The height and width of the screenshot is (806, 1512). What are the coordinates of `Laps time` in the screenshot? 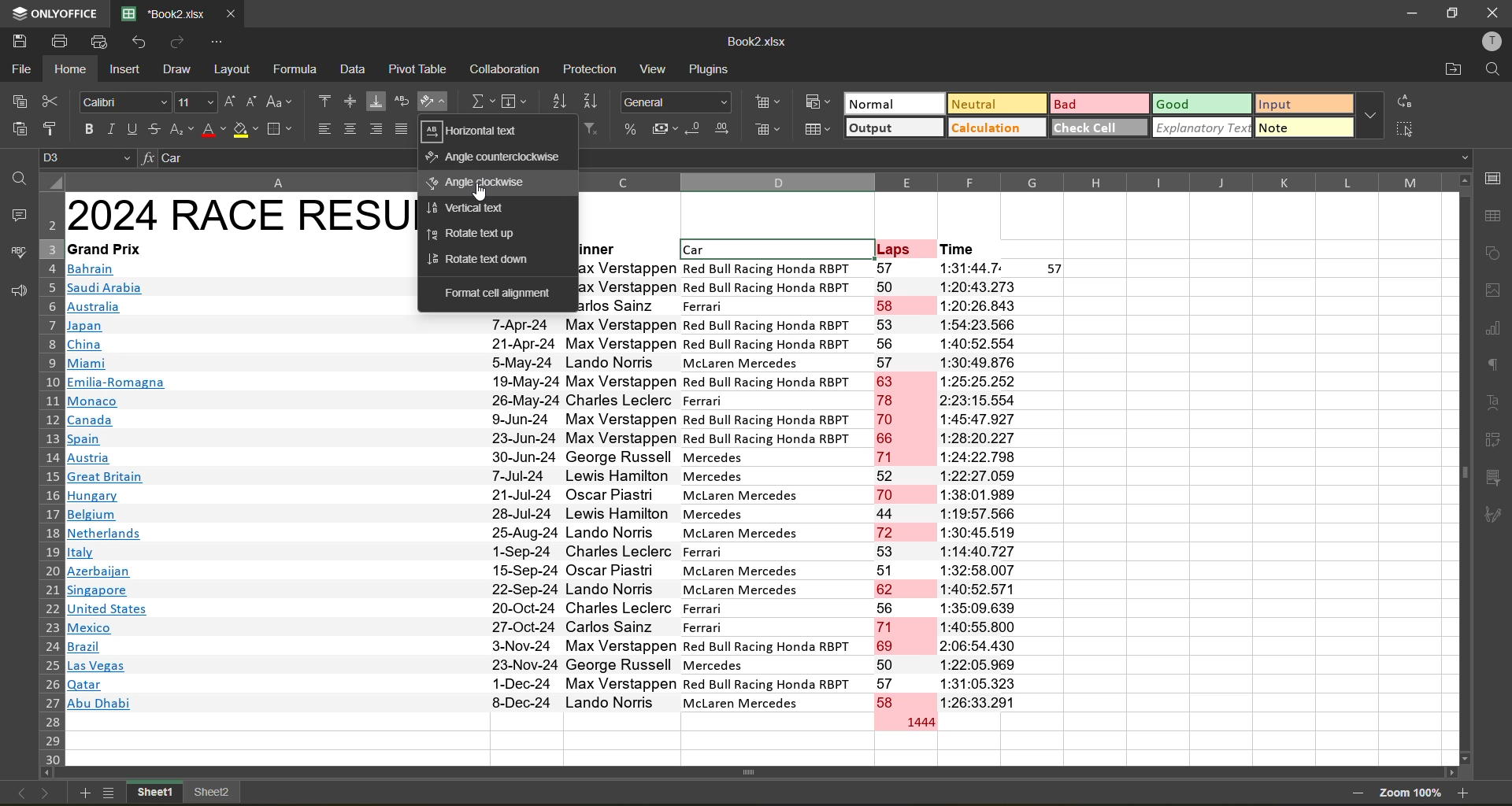 It's located at (1005, 486).